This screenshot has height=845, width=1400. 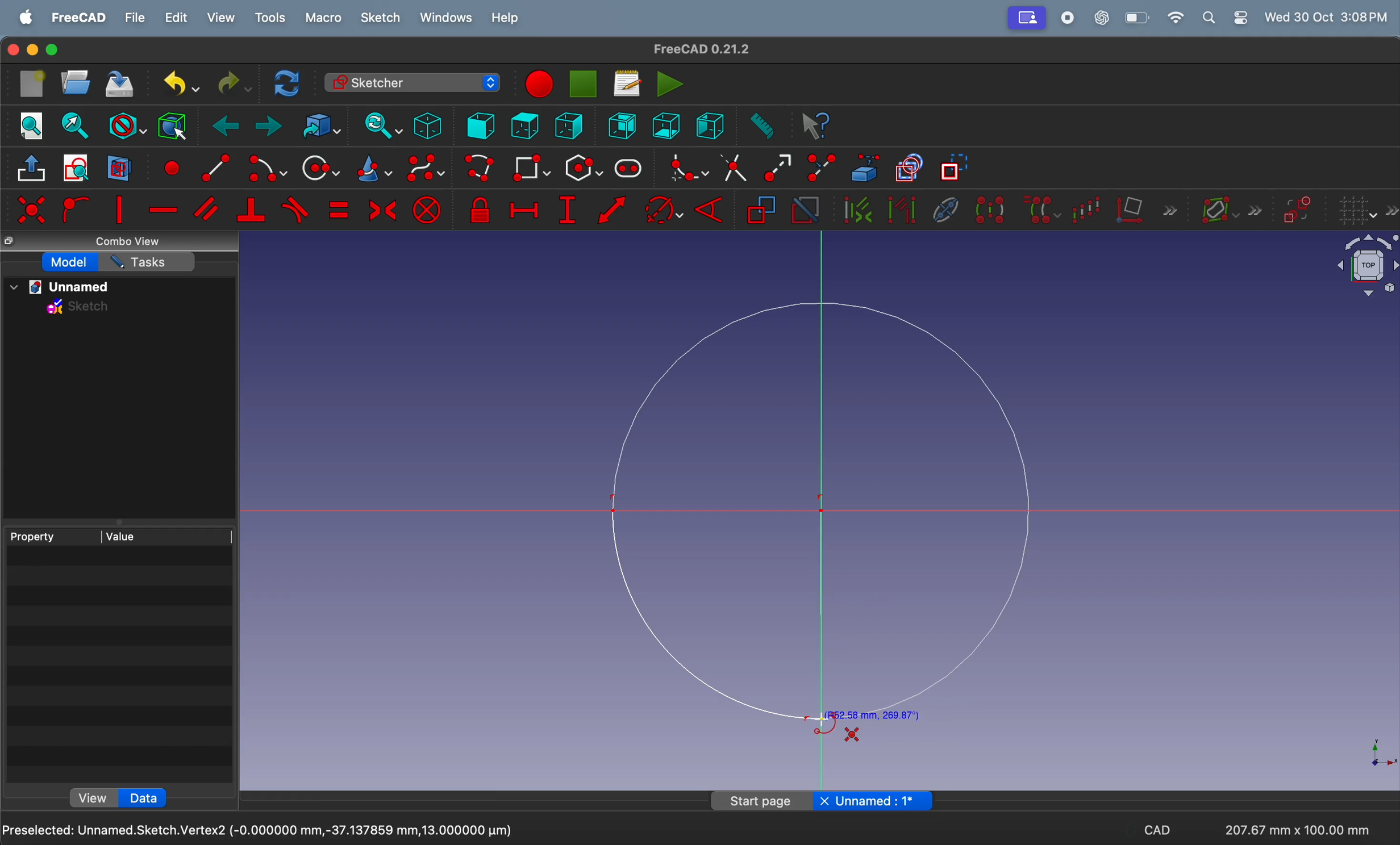 I want to click on create slot, so click(x=628, y=169).